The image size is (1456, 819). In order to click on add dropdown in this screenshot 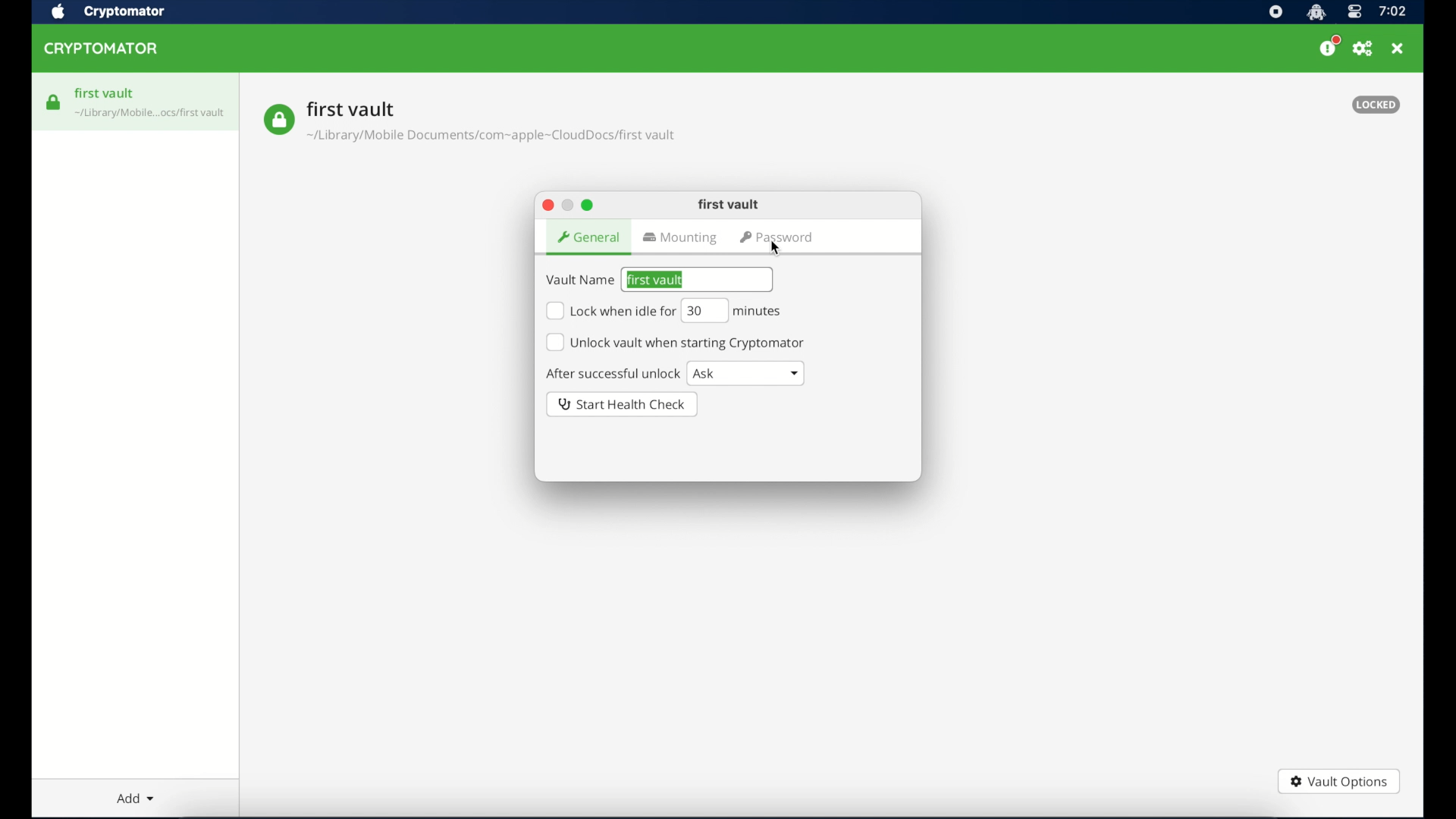, I will do `click(136, 798)`.